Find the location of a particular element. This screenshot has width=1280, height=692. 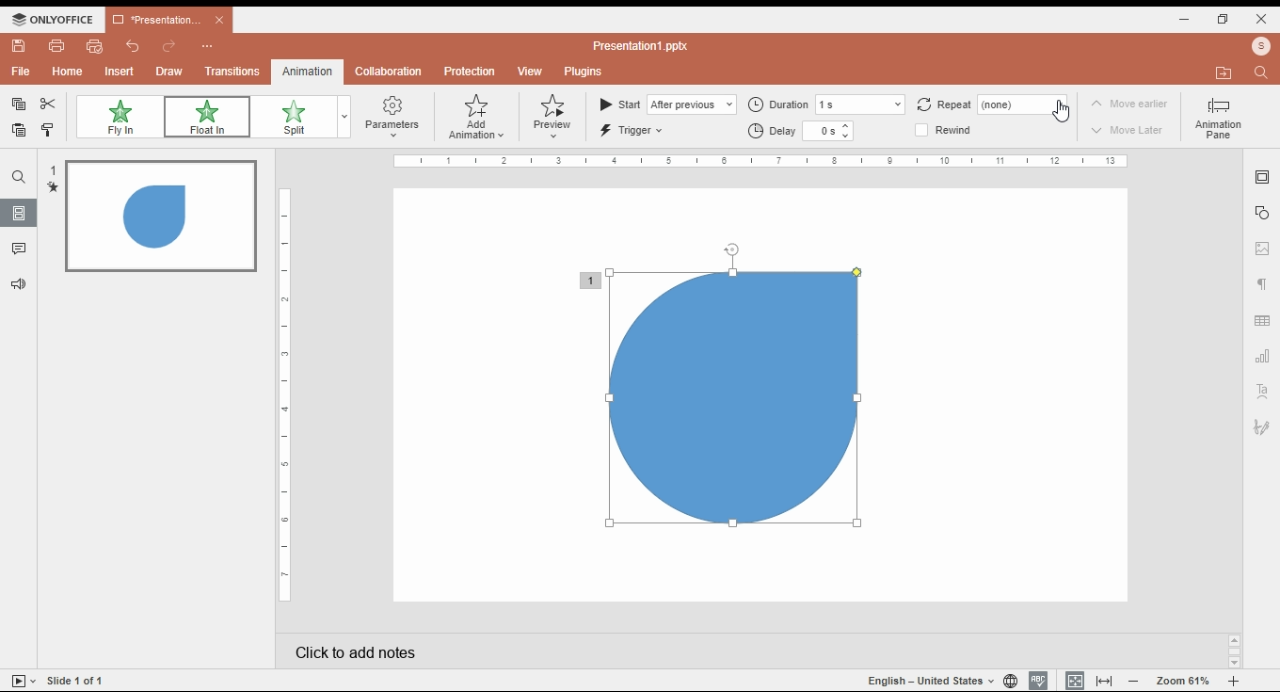

find is located at coordinates (1263, 73).